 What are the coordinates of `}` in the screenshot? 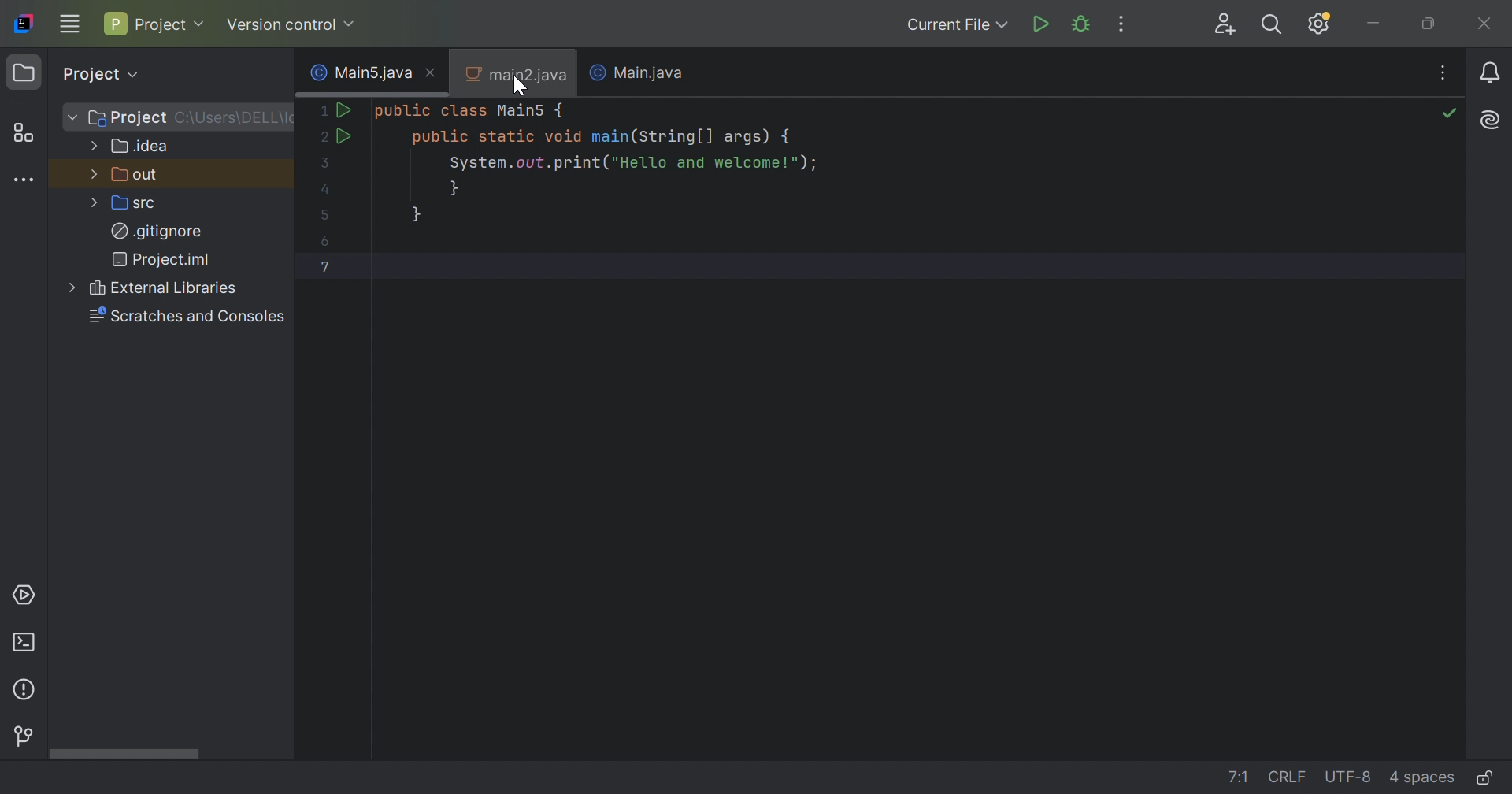 It's located at (459, 187).